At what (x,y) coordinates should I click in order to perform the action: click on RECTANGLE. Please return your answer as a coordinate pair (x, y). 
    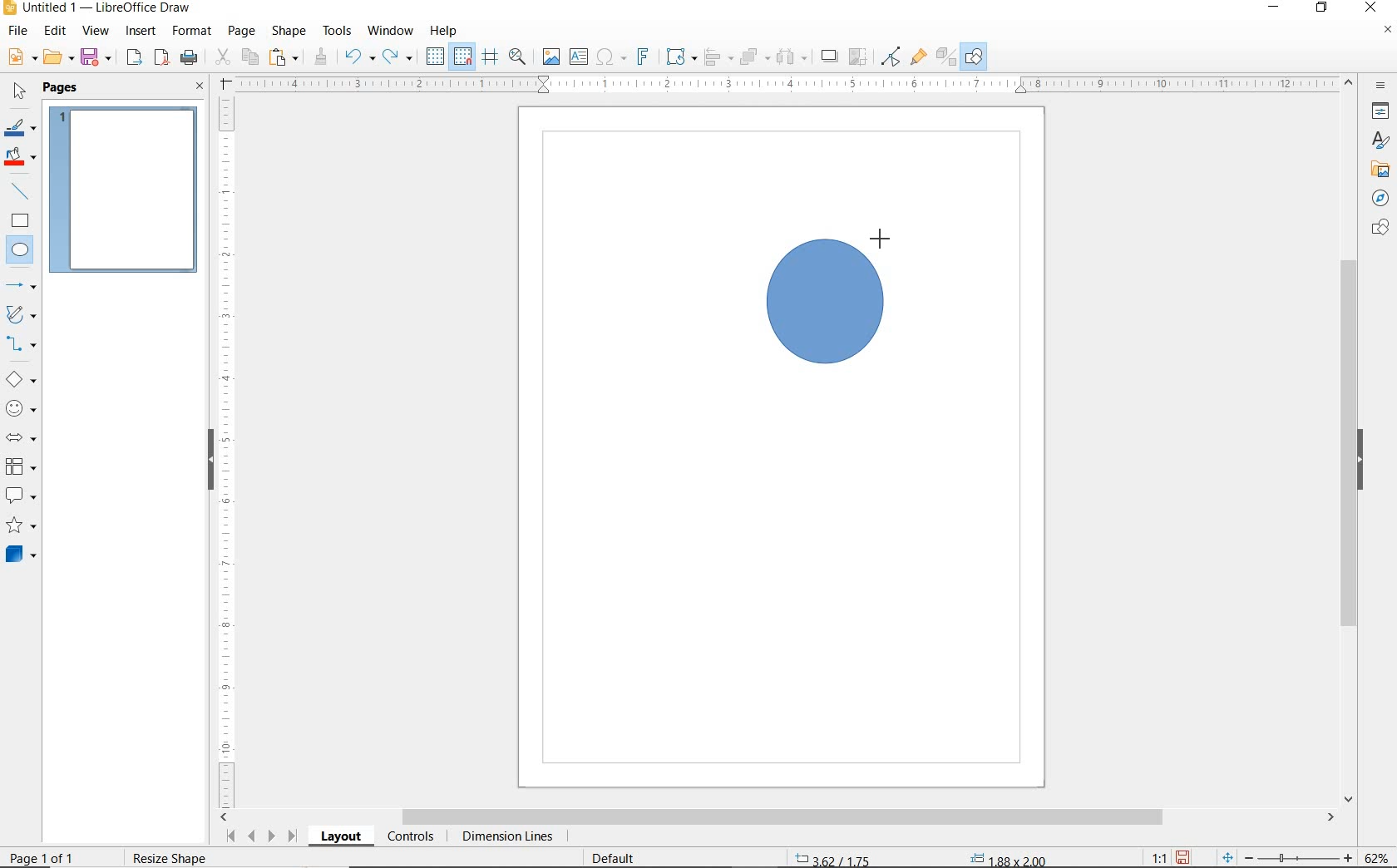
    Looking at the image, I should click on (20, 223).